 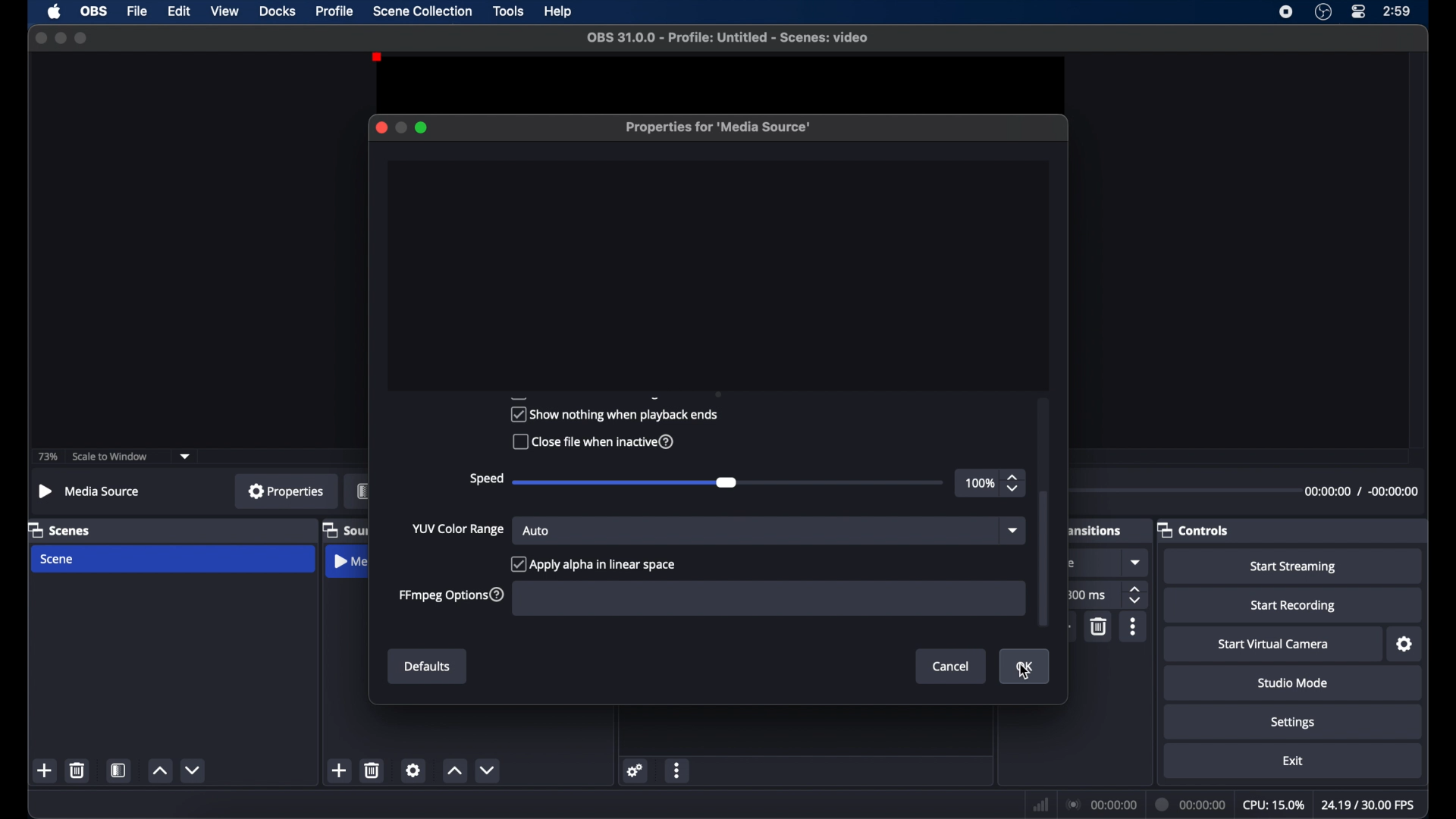 I want to click on obscure text, so click(x=583, y=395).